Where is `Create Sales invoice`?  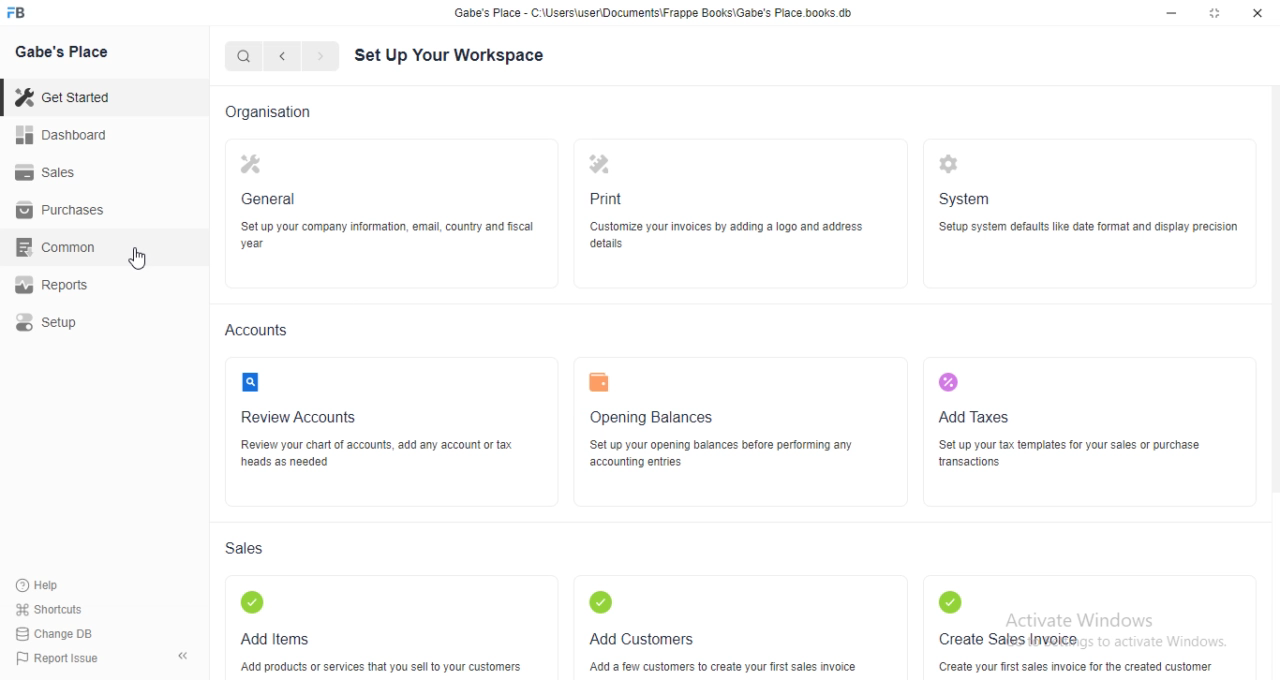
Create Sales invoice is located at coordinates (1013, 615).